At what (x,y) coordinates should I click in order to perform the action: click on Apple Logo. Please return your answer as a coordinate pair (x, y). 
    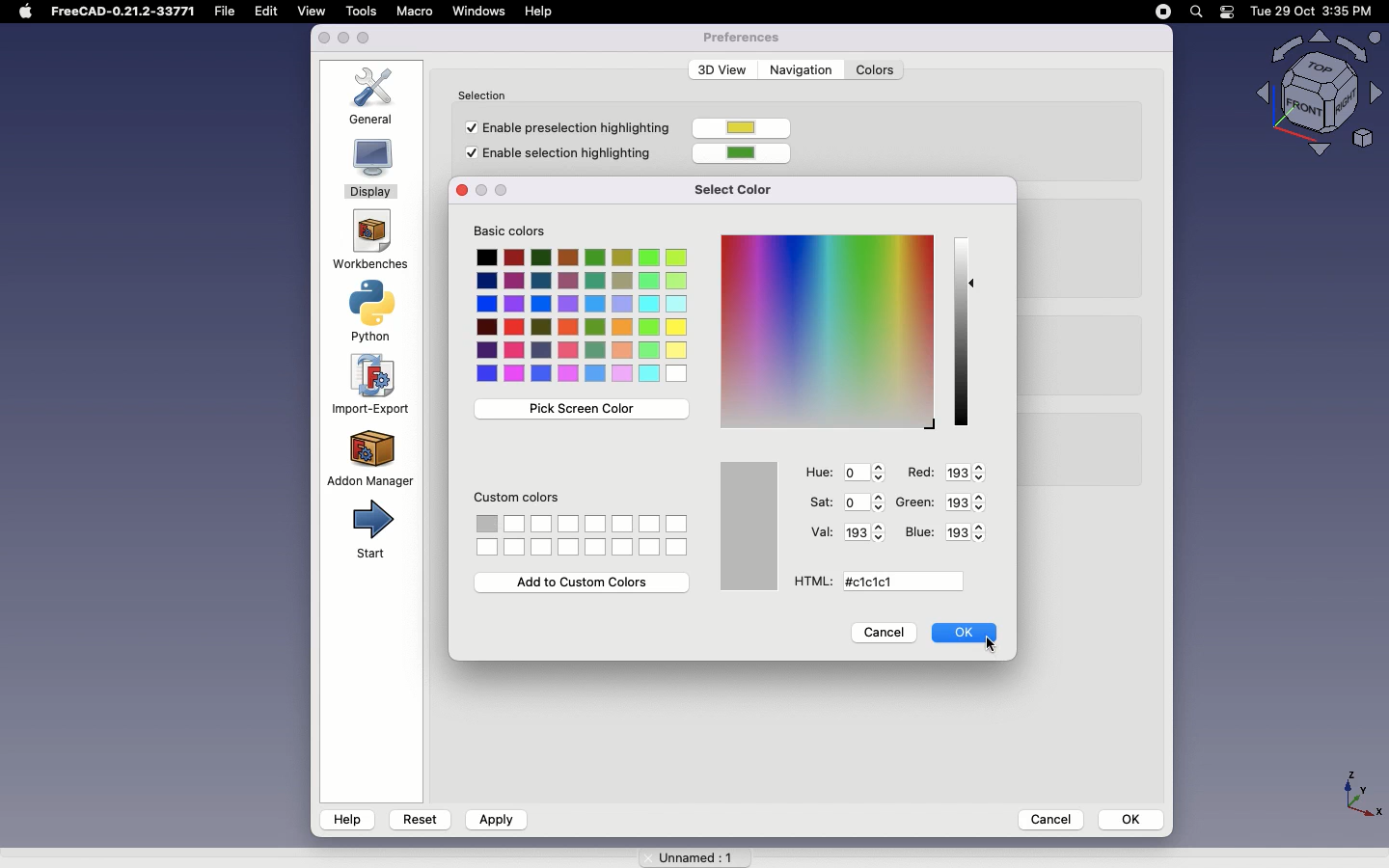
    Looking at the image, I should click on (25, 12).